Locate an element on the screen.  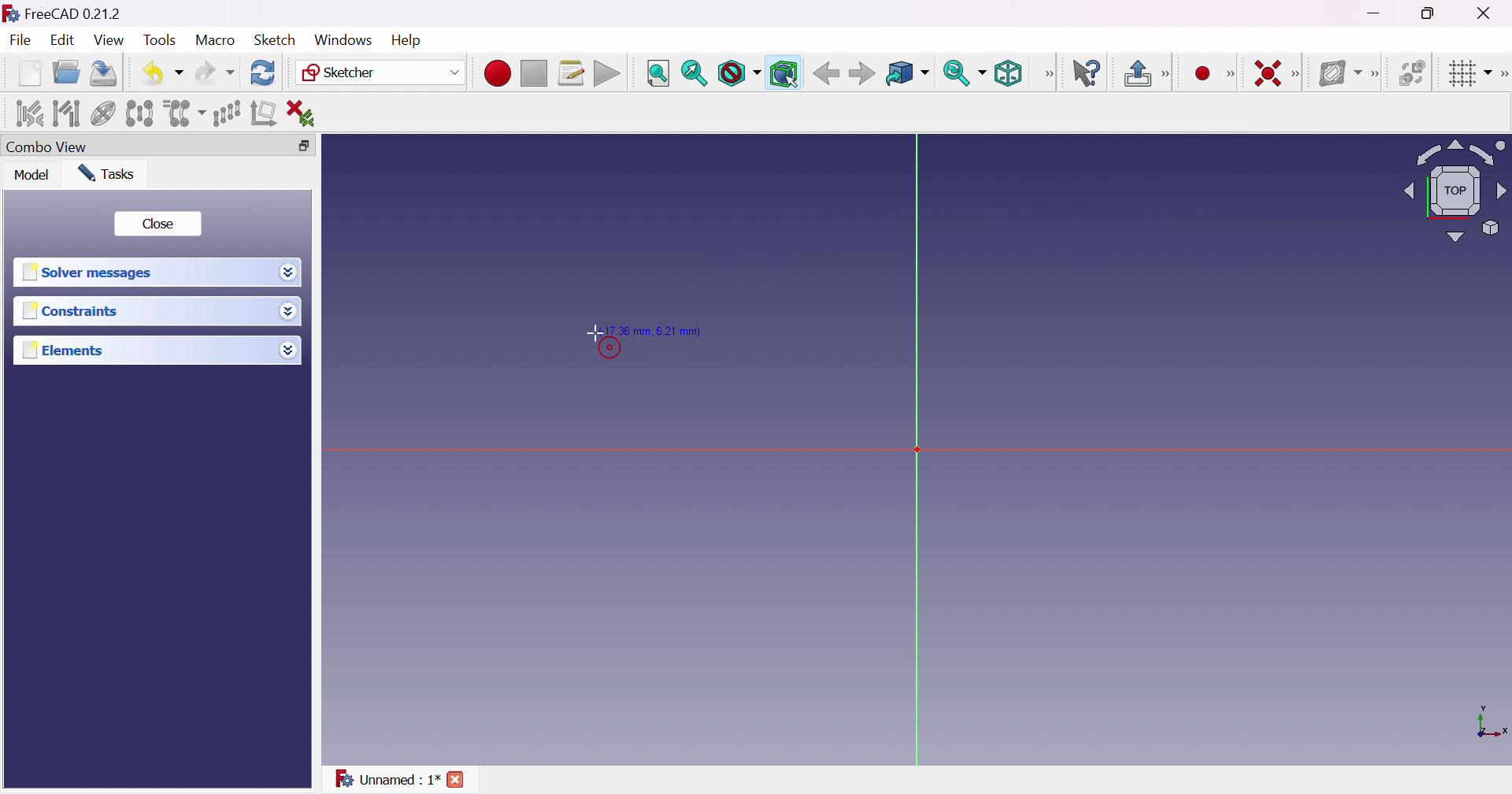
Rectangular array is located at coordinates (225, 113).